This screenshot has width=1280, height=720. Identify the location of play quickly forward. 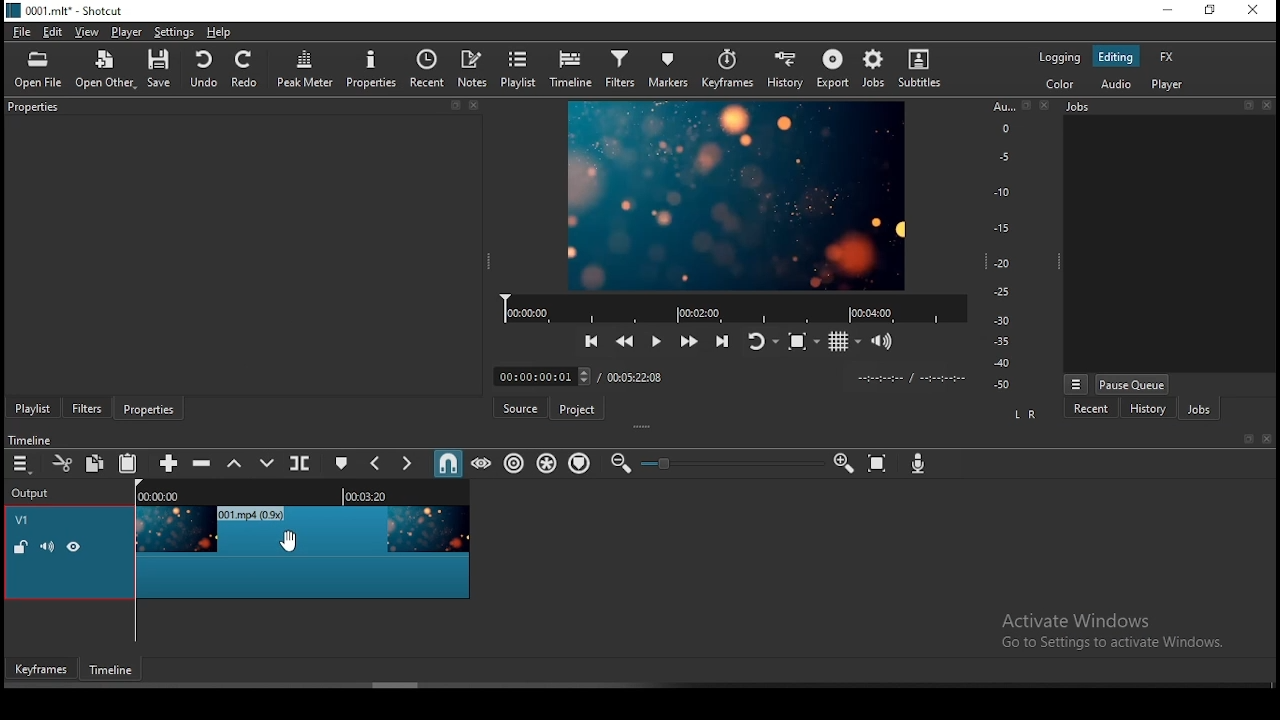
(691, 341).